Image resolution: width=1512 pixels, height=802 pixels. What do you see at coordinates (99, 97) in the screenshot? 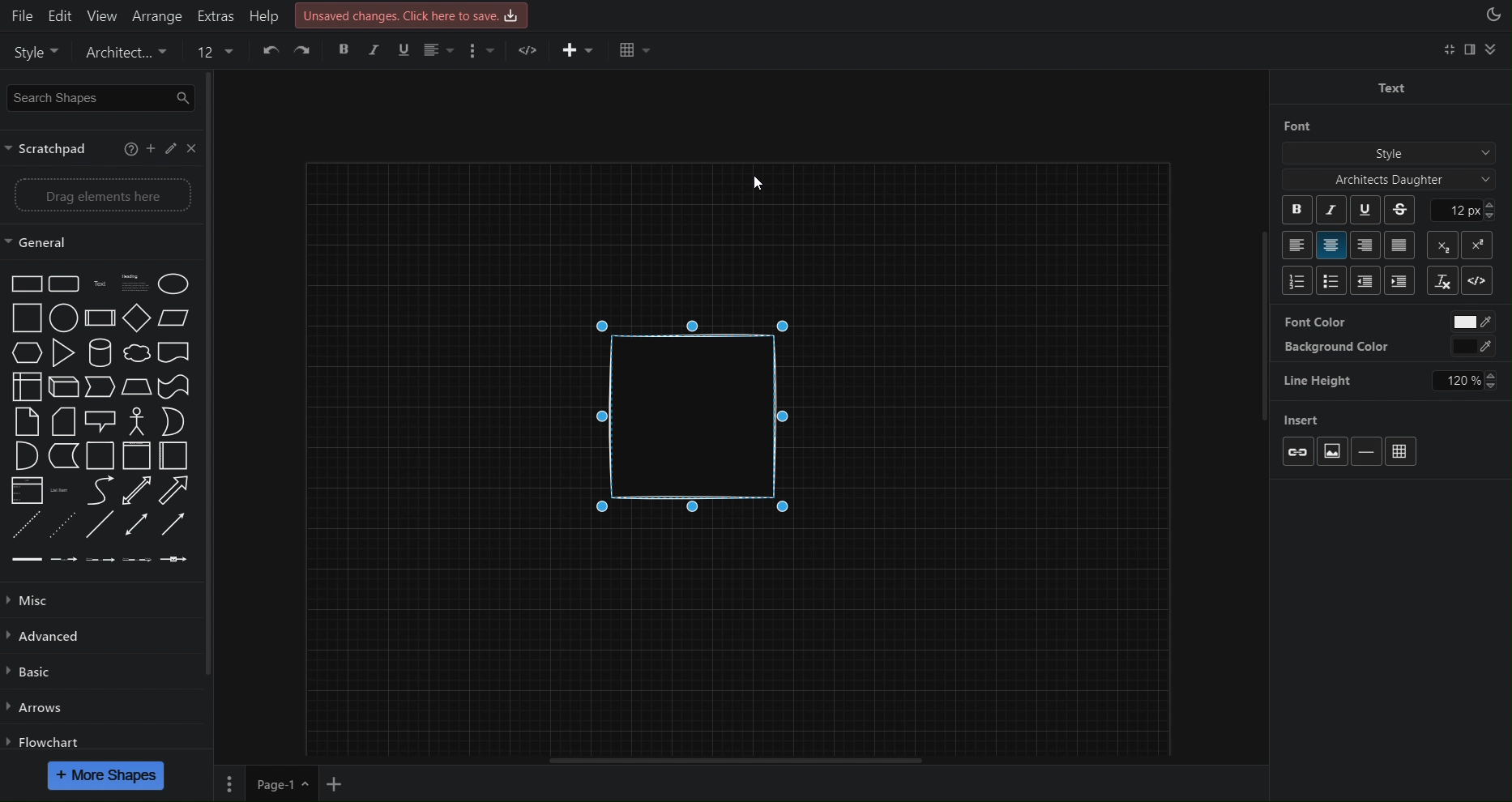
I see `Search Shapes` at bounding box center [99, 97].